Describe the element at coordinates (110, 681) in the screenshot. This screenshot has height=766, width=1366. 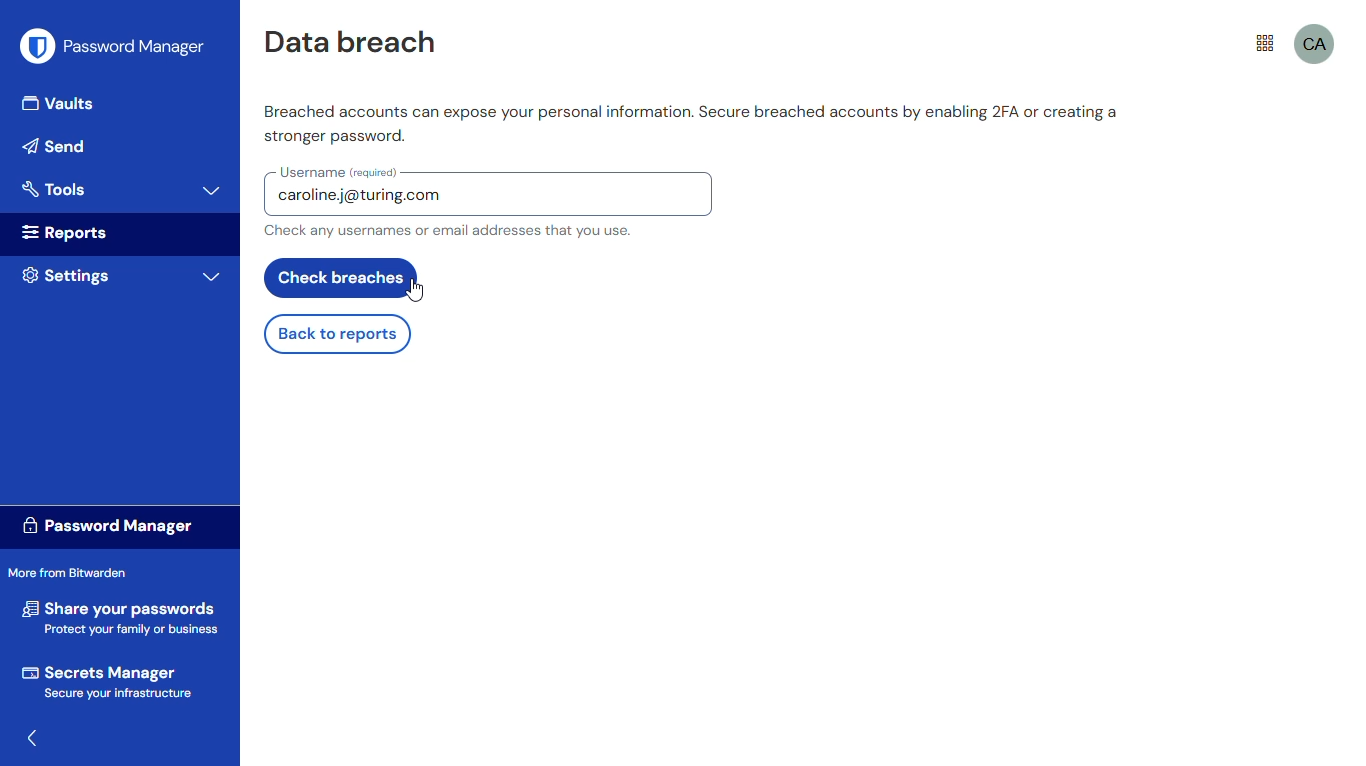
I see `secrets manager secure your infrastucture` at that location.